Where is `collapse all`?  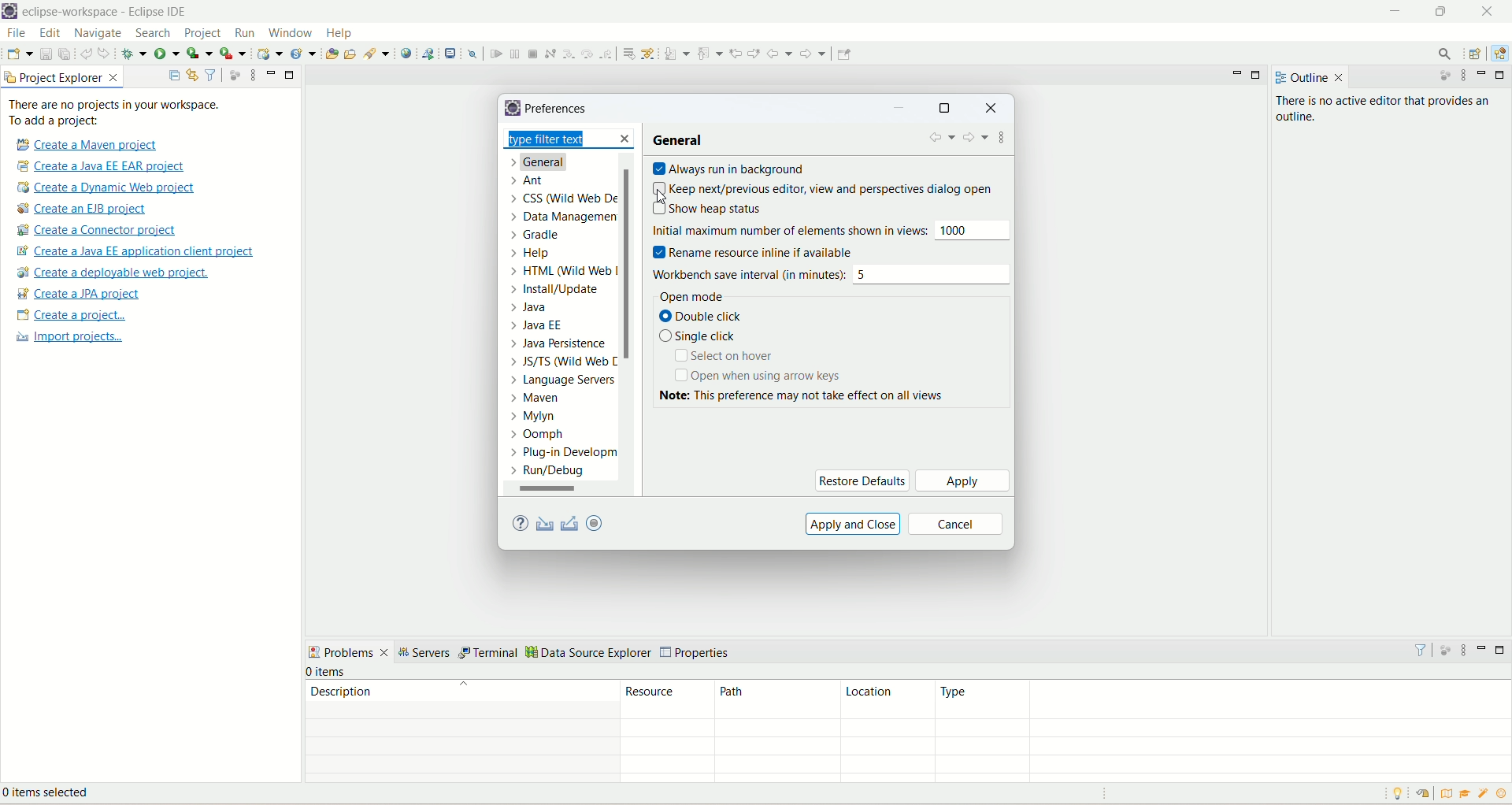 collapse all is located at coordinates (174, 76).